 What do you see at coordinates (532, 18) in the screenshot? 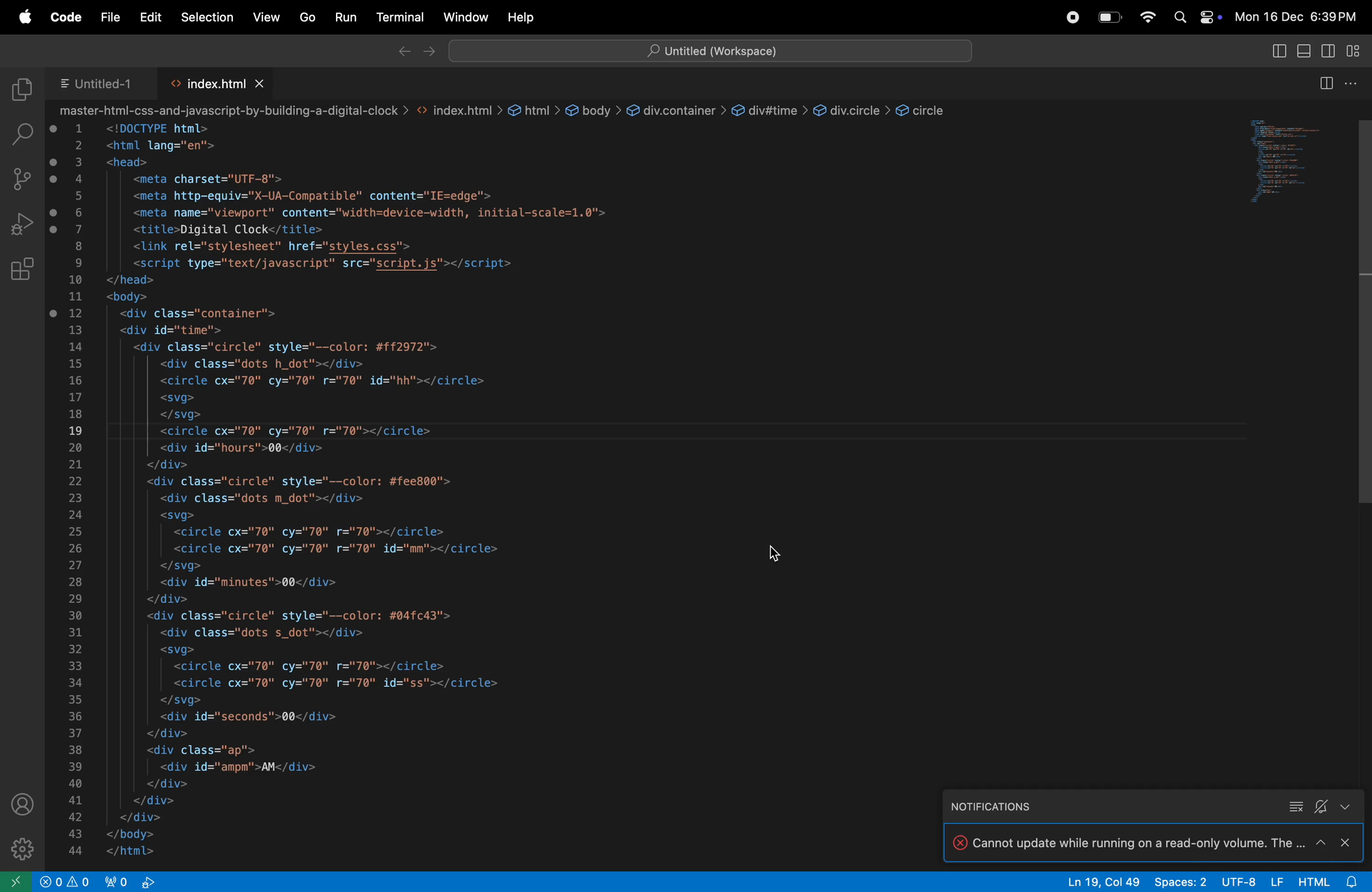
I see `help` at bounding box center [532, 18].